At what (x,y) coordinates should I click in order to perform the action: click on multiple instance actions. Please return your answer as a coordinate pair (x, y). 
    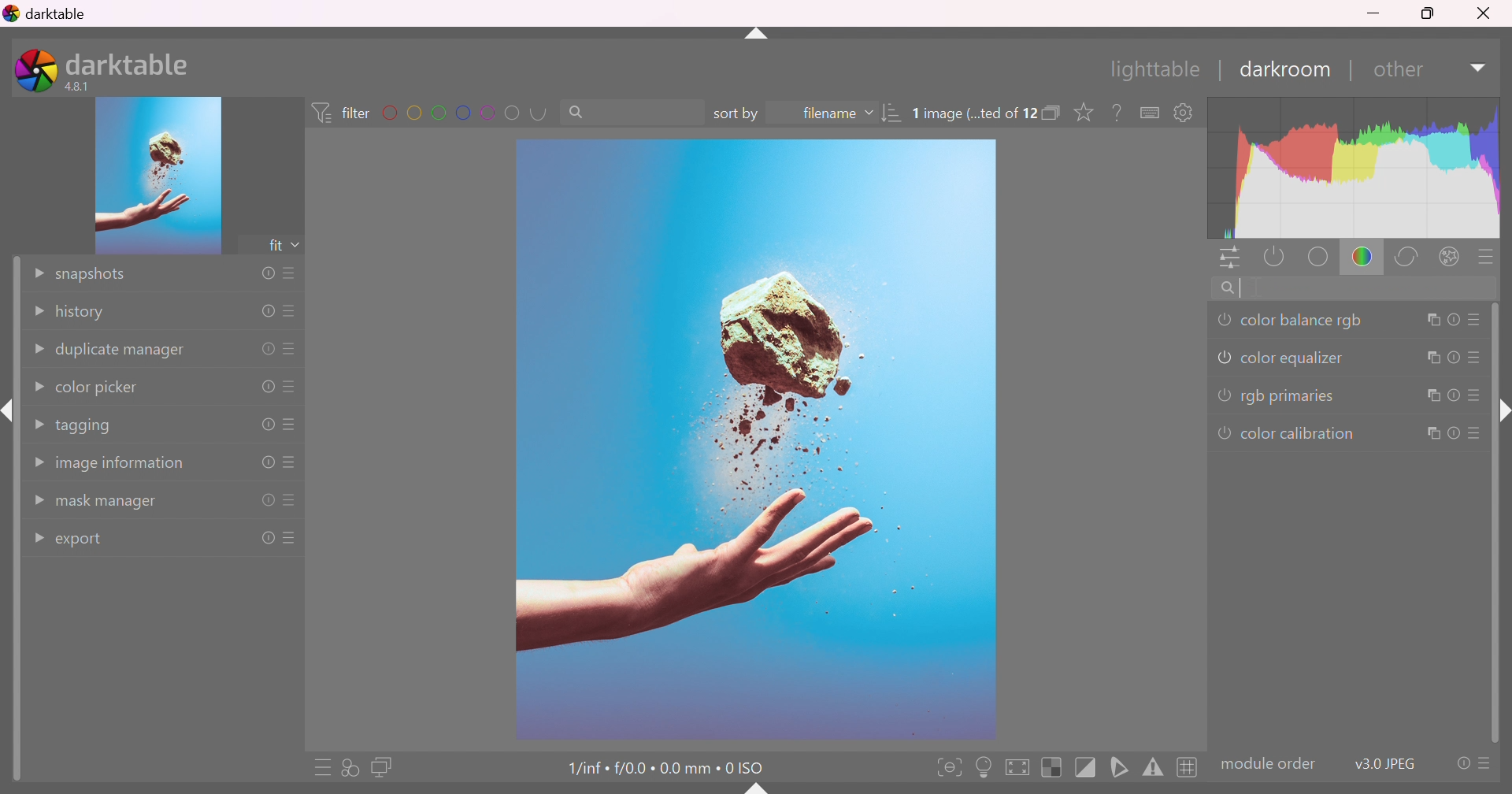
    Looking at the image, I should click on (1433, 321).